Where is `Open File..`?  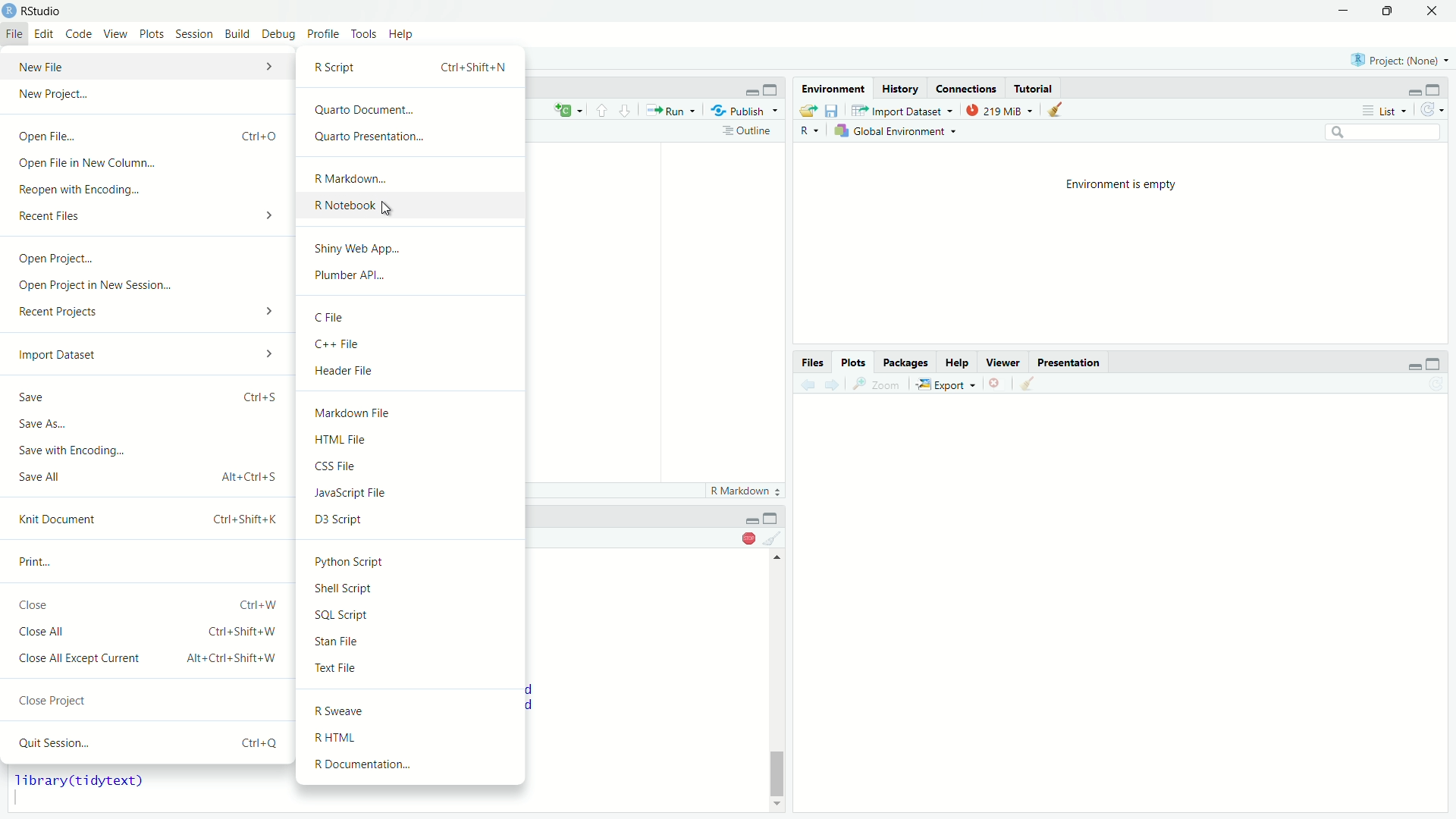 Open File.. is located at coordinates (149, 135).